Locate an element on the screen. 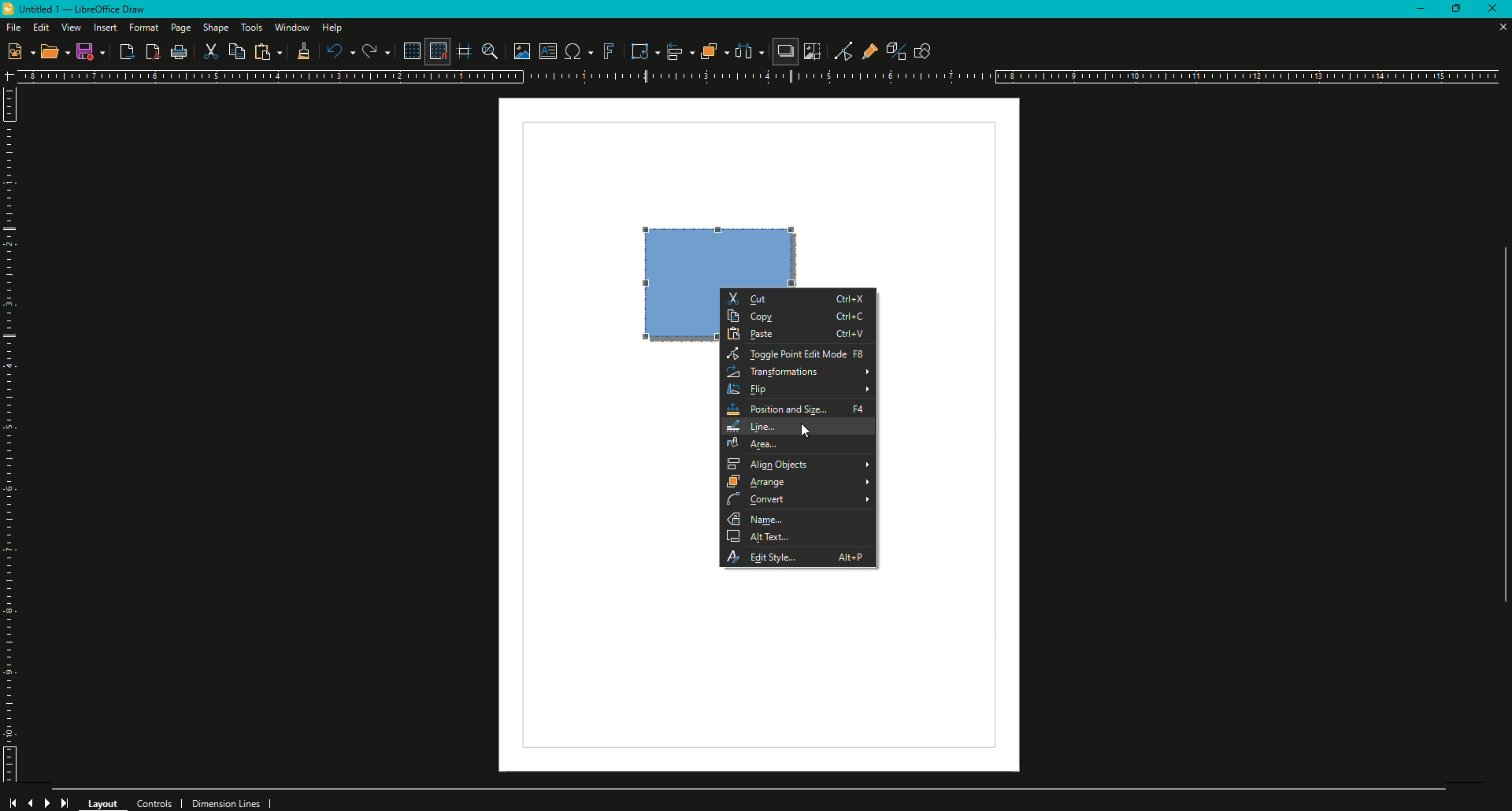 The height and width of the screenshot is (811, 1512). Shape is located at coordinates (217, 28).